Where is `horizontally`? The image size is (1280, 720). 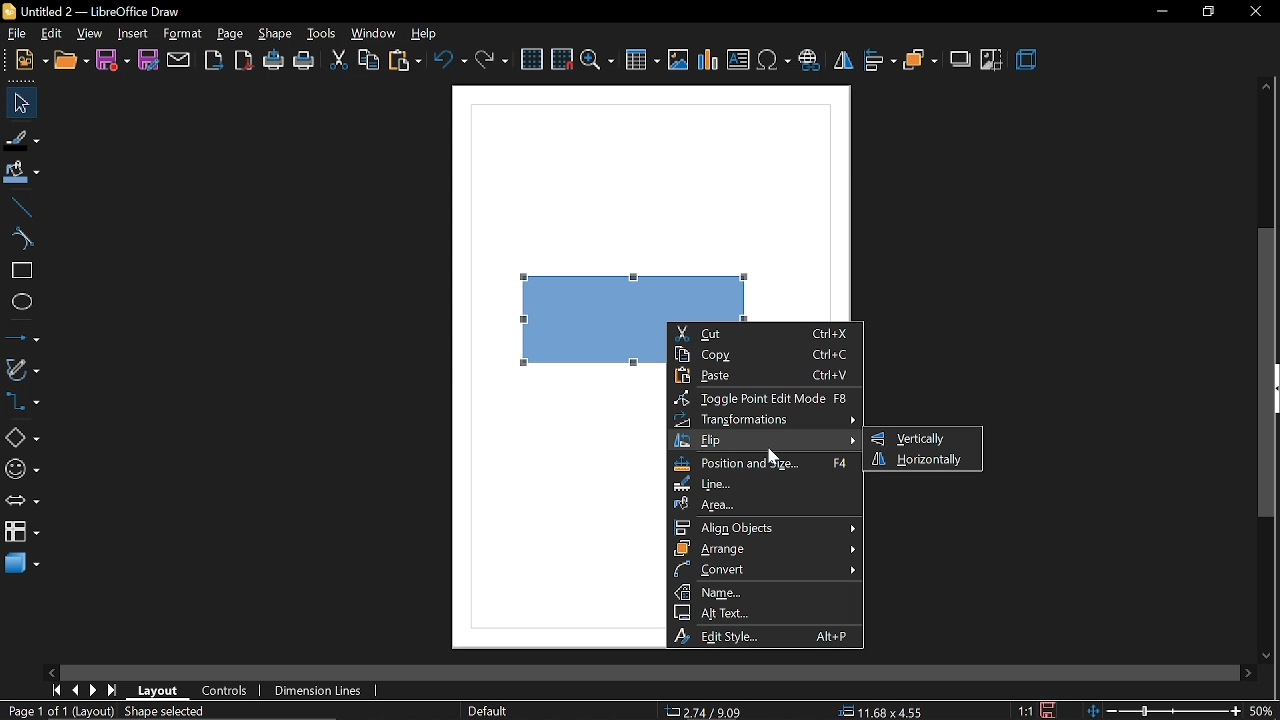
horizontally is located at coordinates (923, 460).